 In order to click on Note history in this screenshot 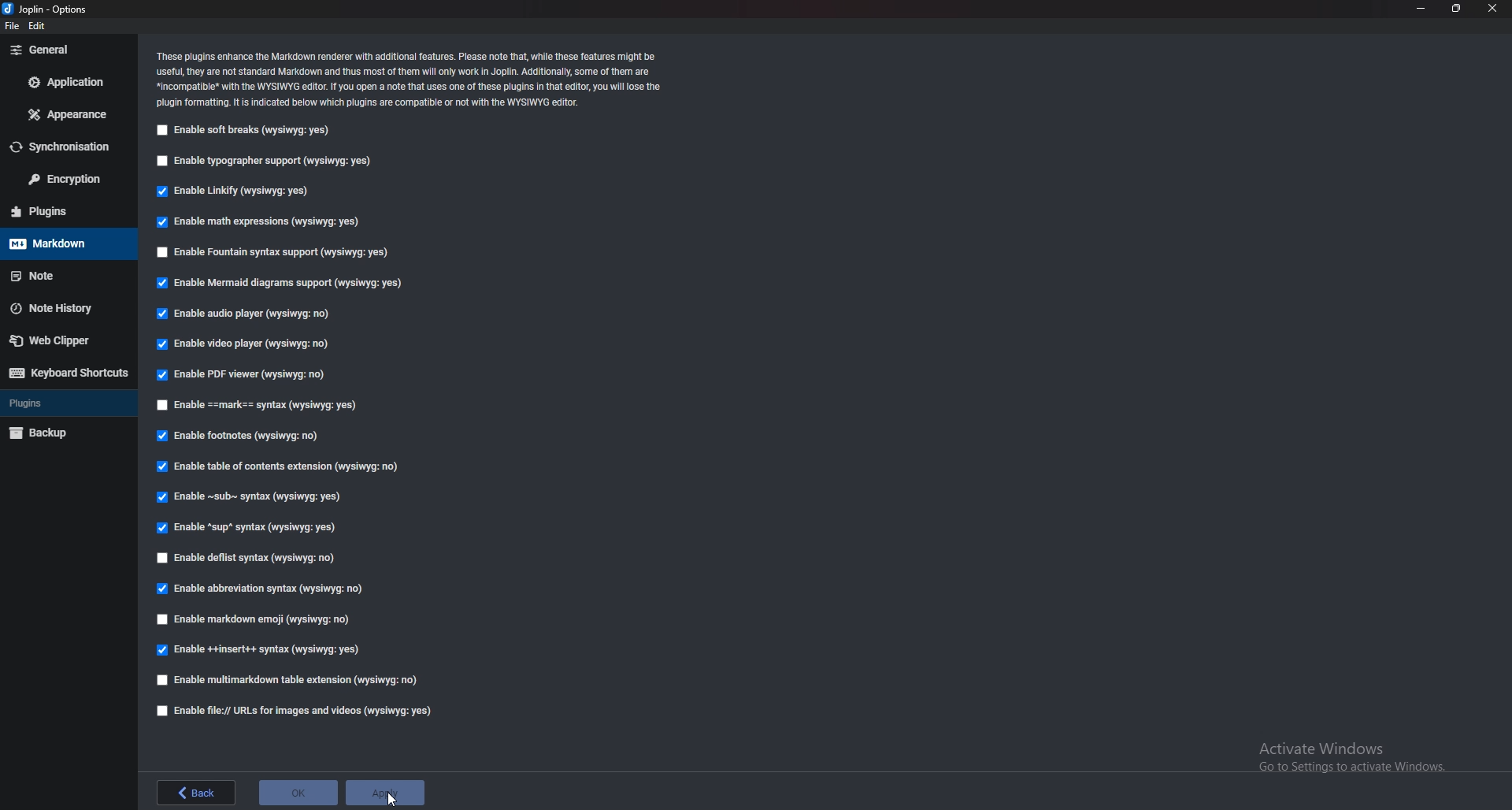, I will do `click(58, 310)`.